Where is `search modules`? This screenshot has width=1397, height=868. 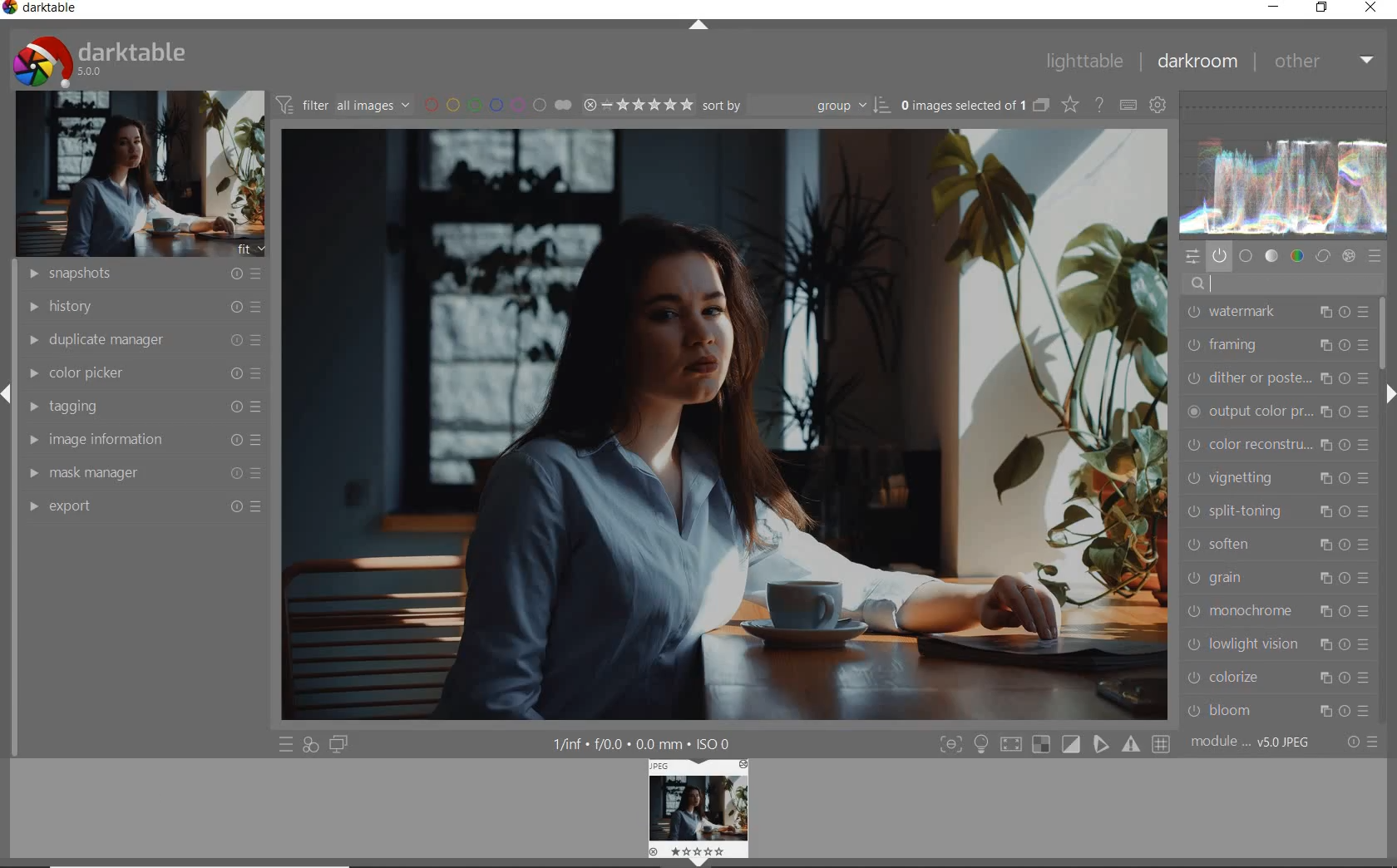 search modules is located at coordinates (1276, 285).